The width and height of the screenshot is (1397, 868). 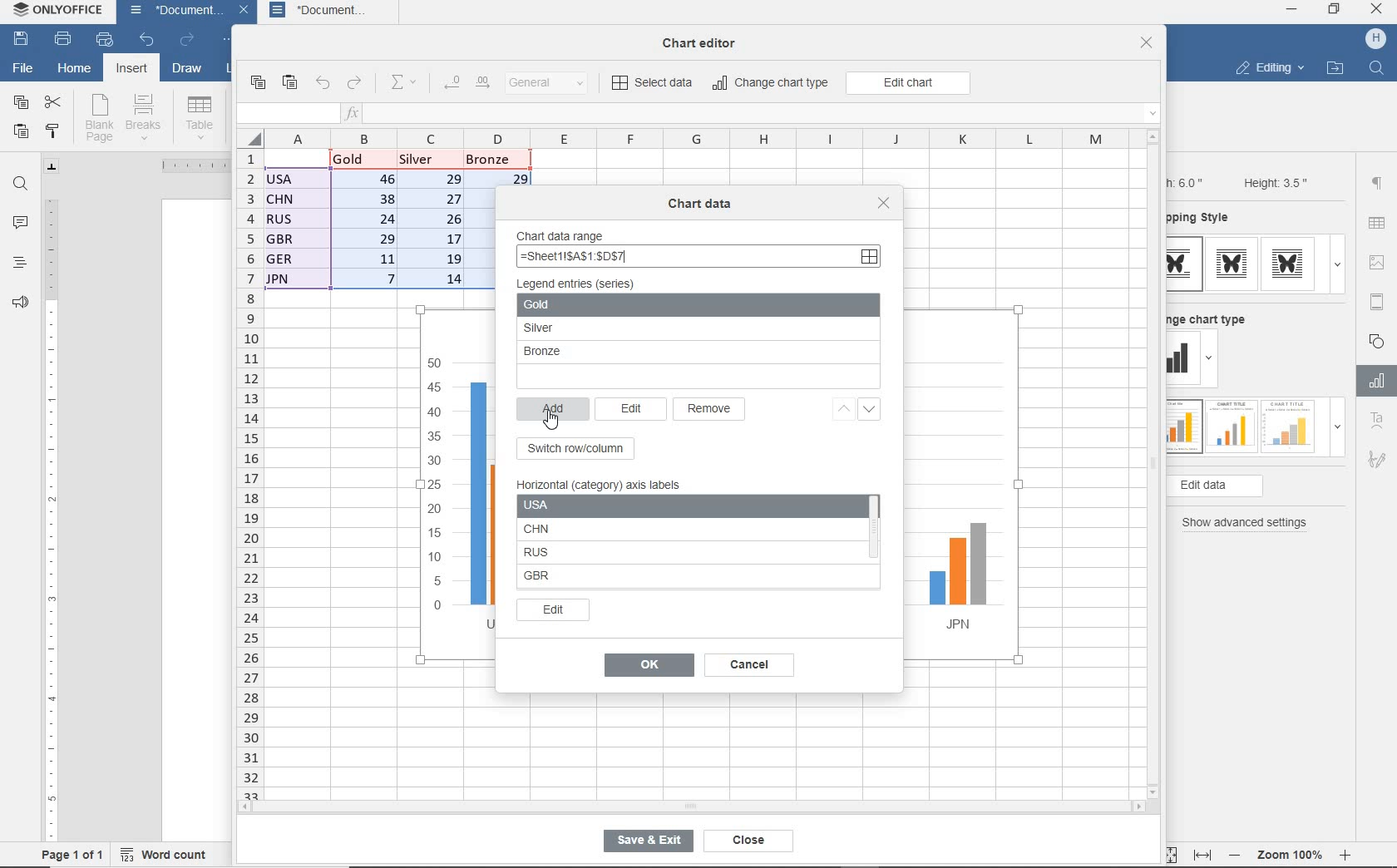 What do you see at coordinates (649, 667) in the screenshot?
I see `ok` at bounding box center [649, 667].